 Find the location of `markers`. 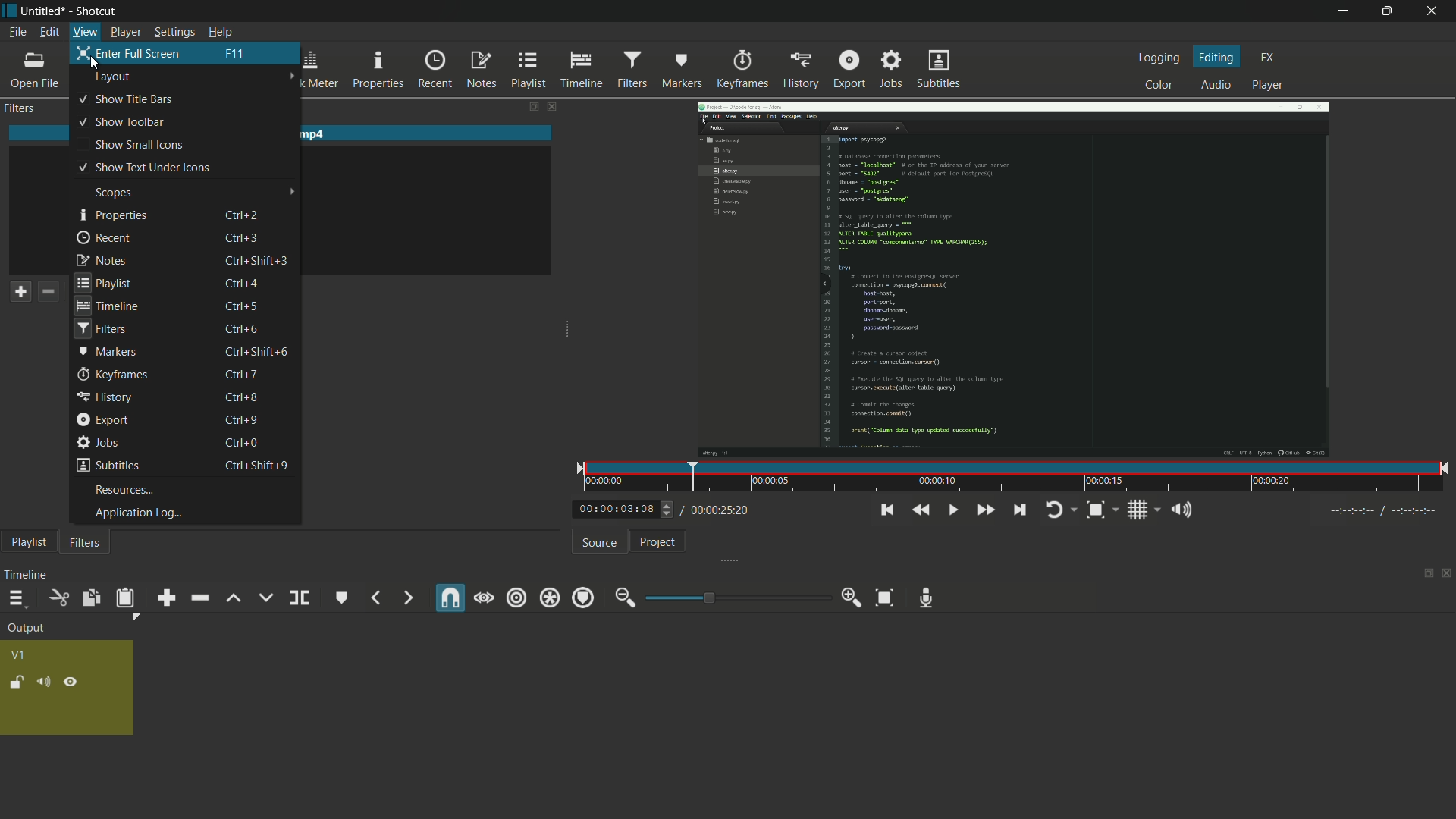

markers is located at coordinates (108, 353).